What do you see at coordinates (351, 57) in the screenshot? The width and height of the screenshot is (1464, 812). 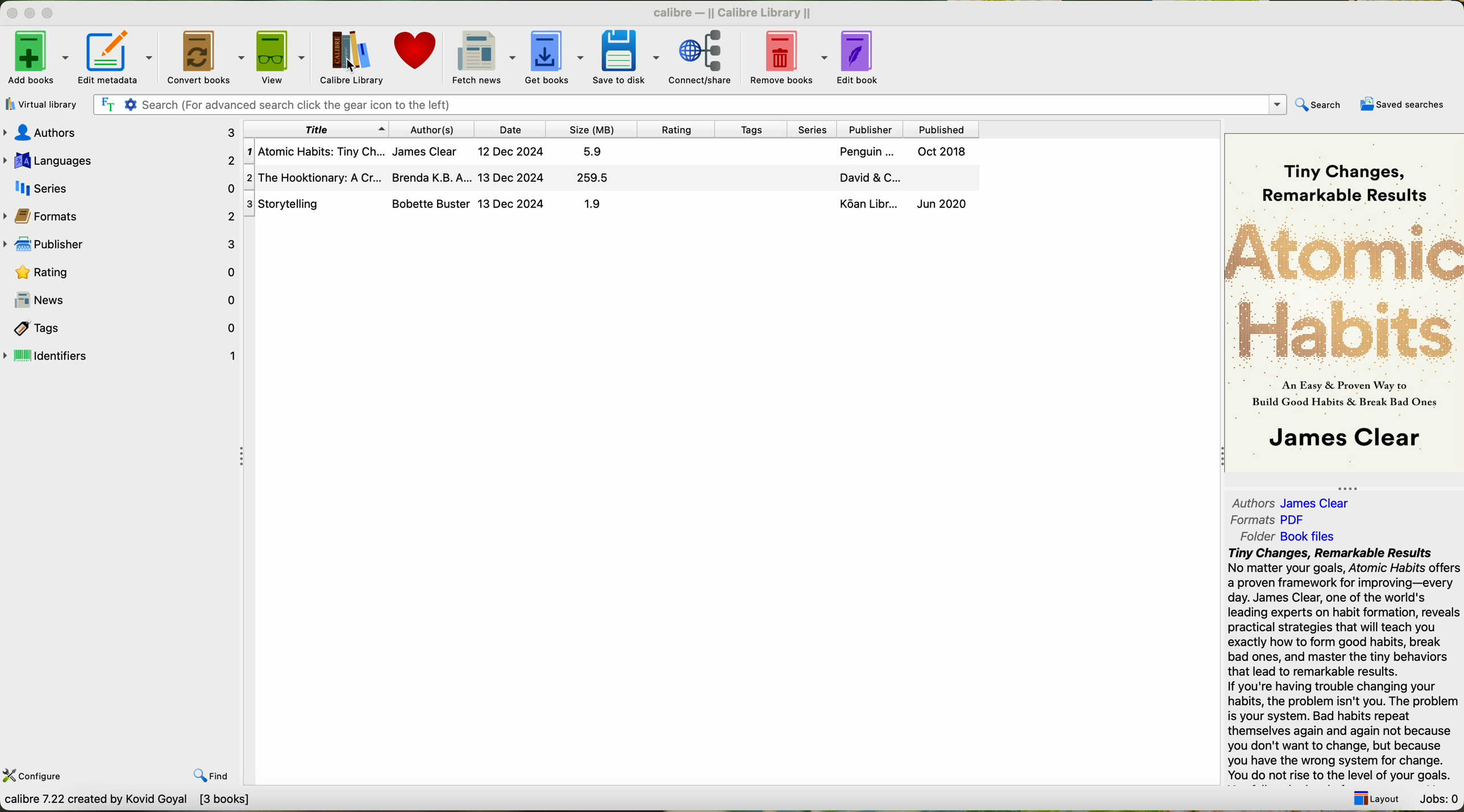 I see `Caliber Library` at bounding box center [351, 57].